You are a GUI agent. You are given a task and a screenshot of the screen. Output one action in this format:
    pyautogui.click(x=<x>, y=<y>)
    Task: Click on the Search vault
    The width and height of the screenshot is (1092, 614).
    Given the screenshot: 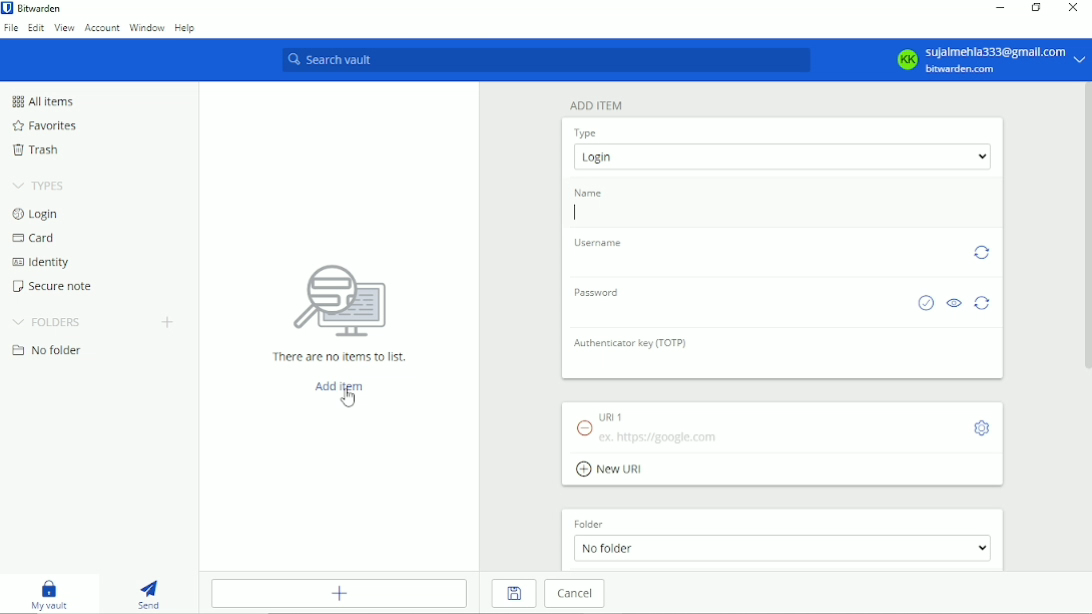 What is the action you would take?
    pyautogui.click(x=544, y=61)
    